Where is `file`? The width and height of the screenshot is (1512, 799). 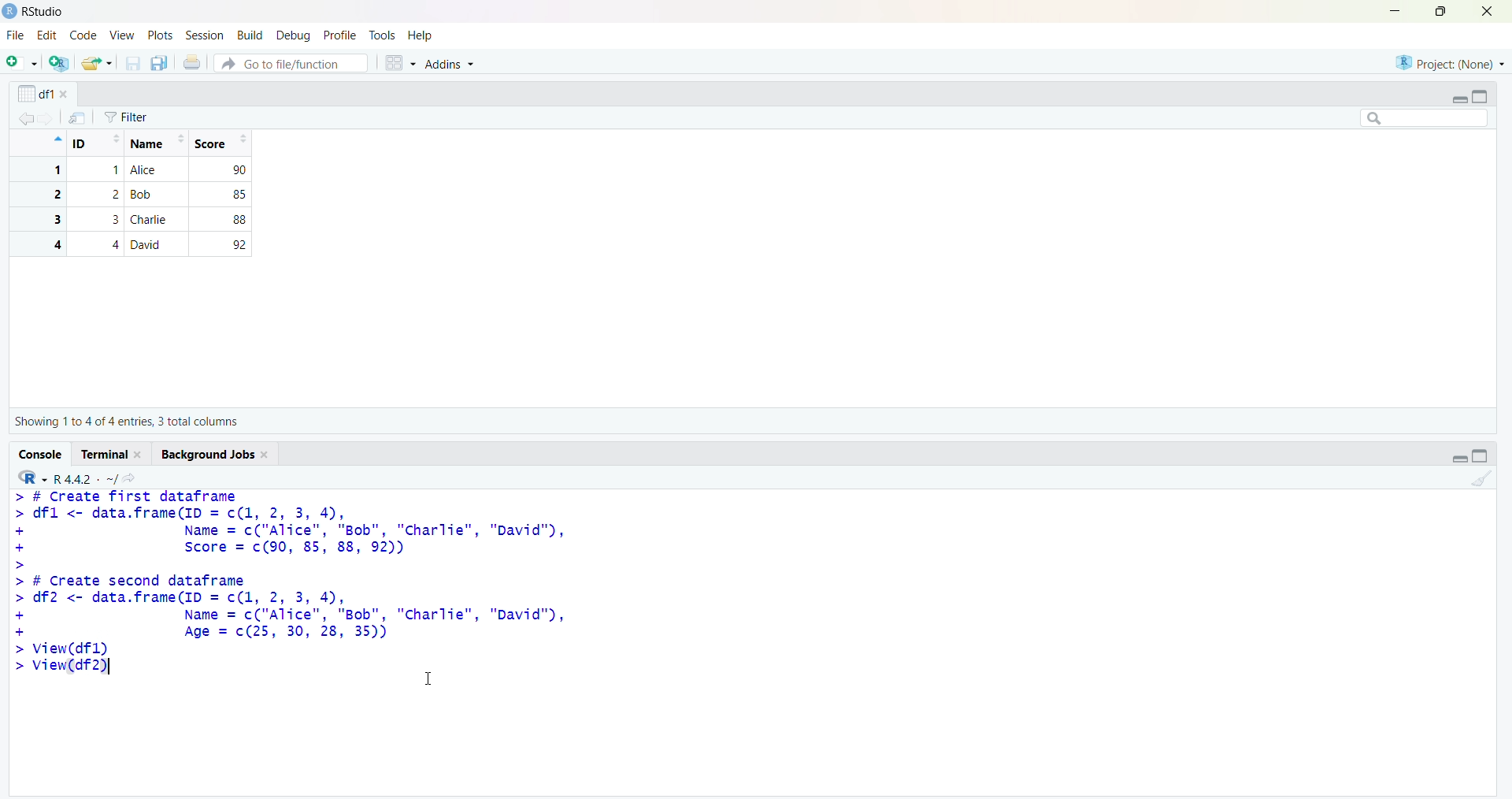
file is located at coordinates (17, 35).